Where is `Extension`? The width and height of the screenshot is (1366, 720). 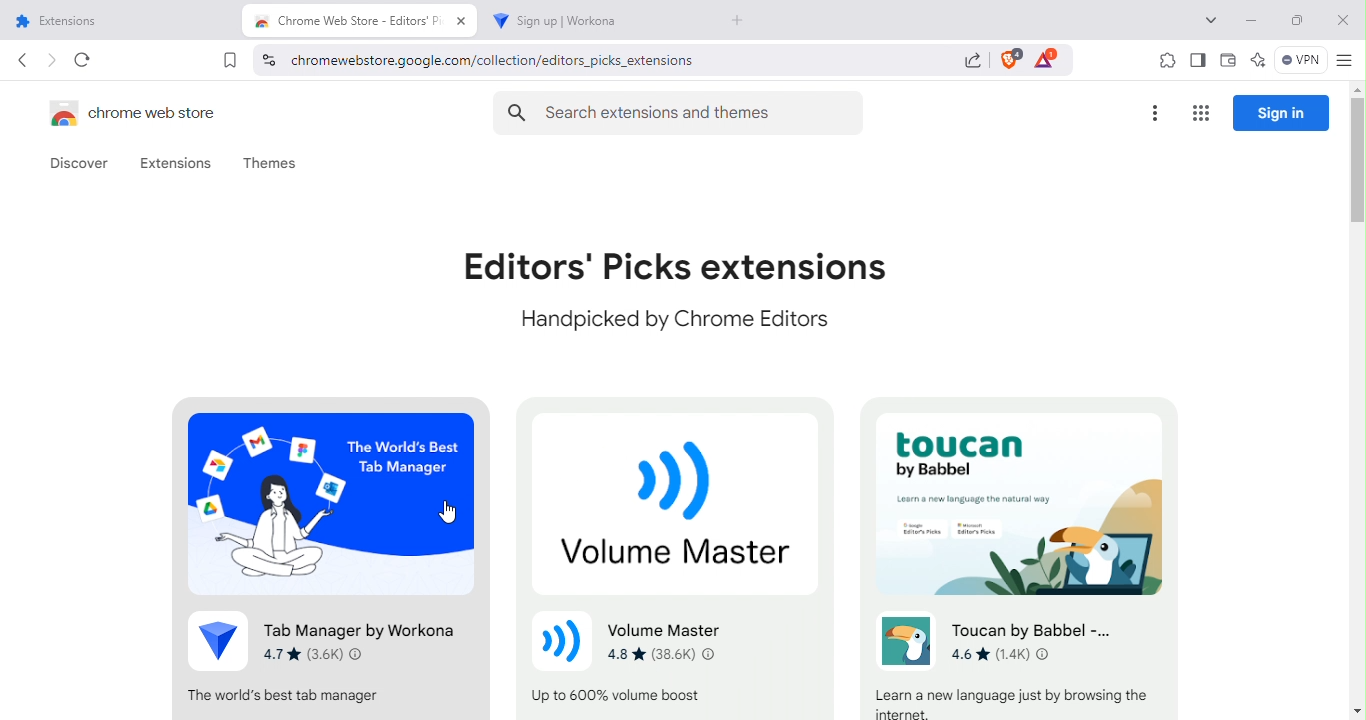 Extension is located at coordinates (1013, 557).